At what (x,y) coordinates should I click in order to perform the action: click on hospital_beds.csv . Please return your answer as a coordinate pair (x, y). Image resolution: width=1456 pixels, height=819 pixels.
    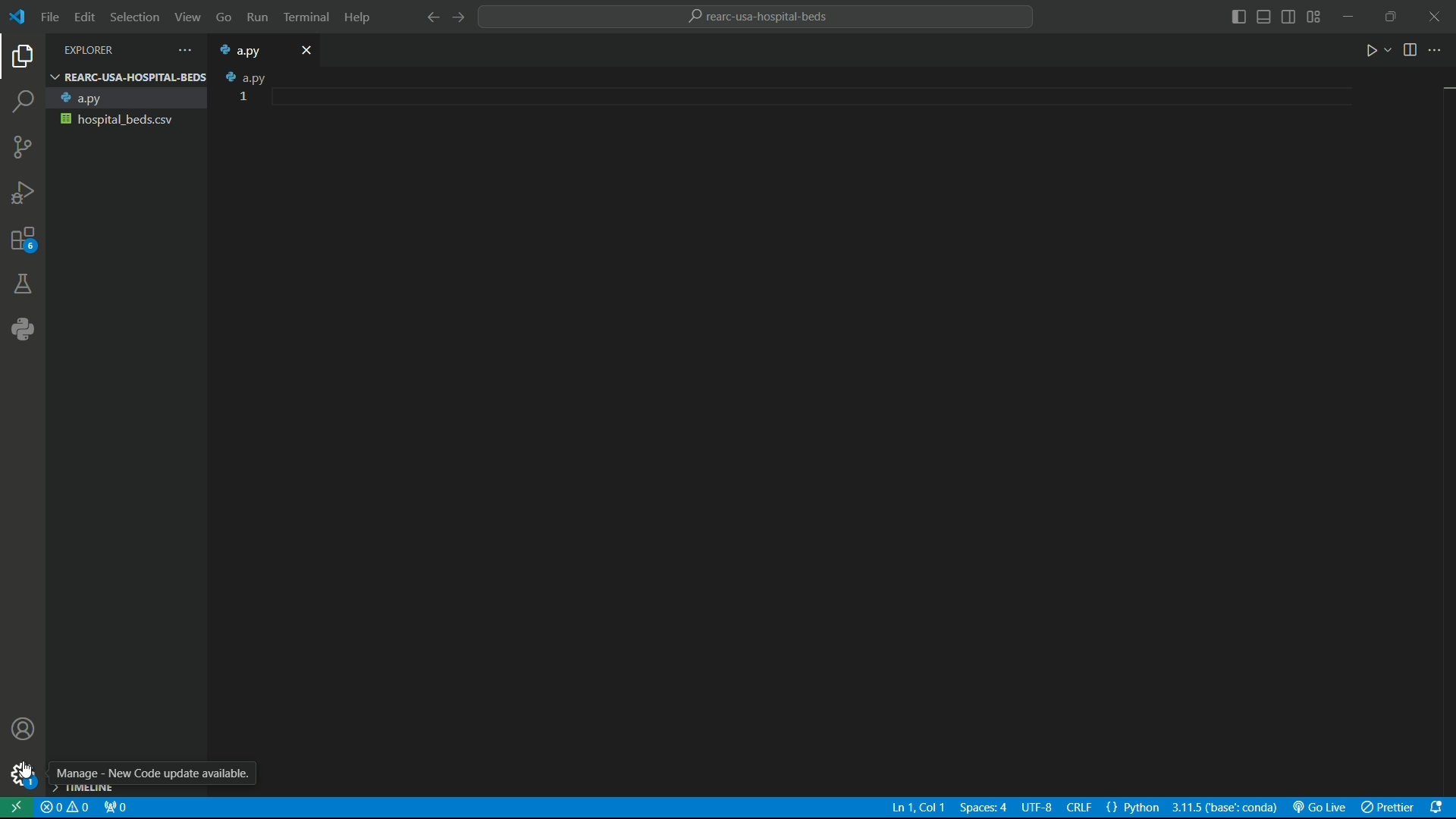
    Looking at the image, I should click on (124, 119).